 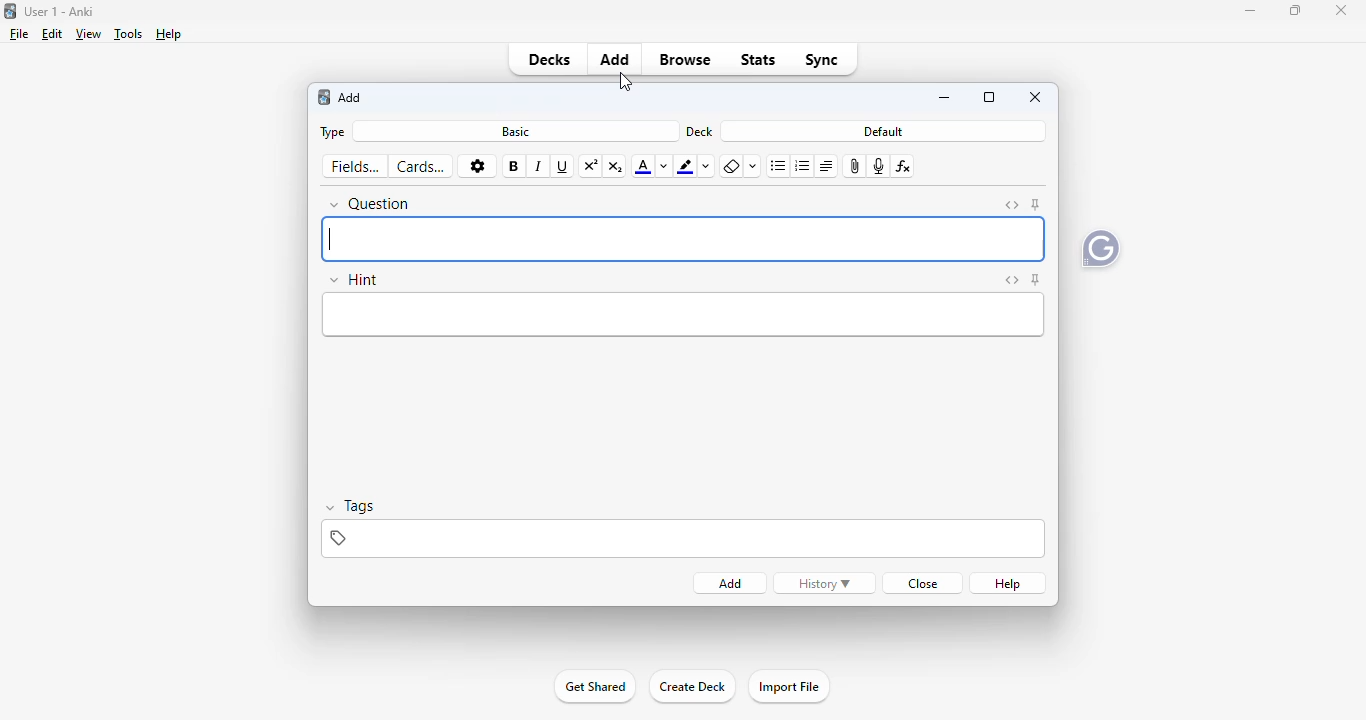 What do you see at coordinates (1101, 249) in the screenshot?
I see `grammarly extension` at bounding box center [1101, 249].